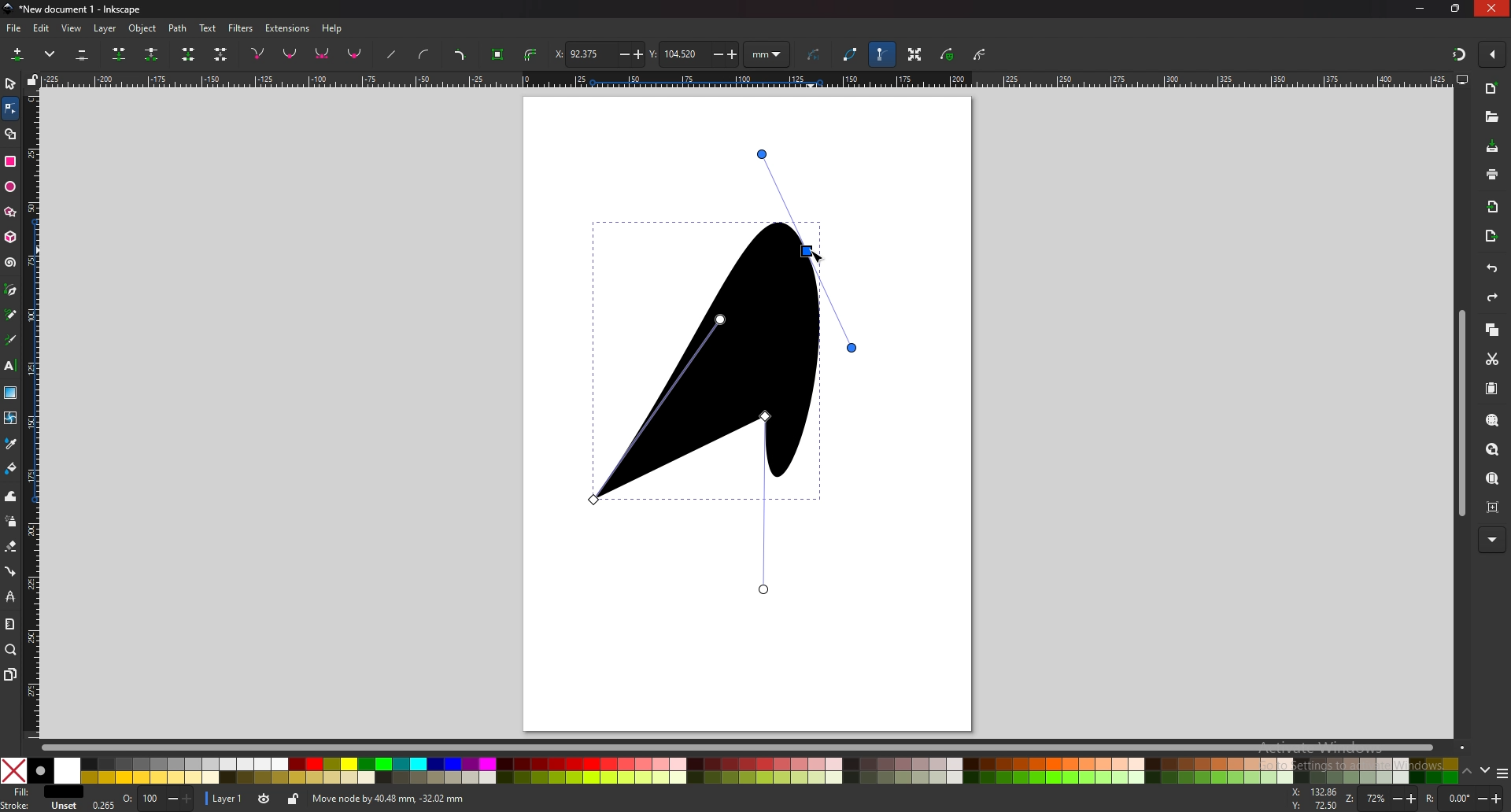 The image size is (1511, 812). I want to click on open, so click(1492, 117).